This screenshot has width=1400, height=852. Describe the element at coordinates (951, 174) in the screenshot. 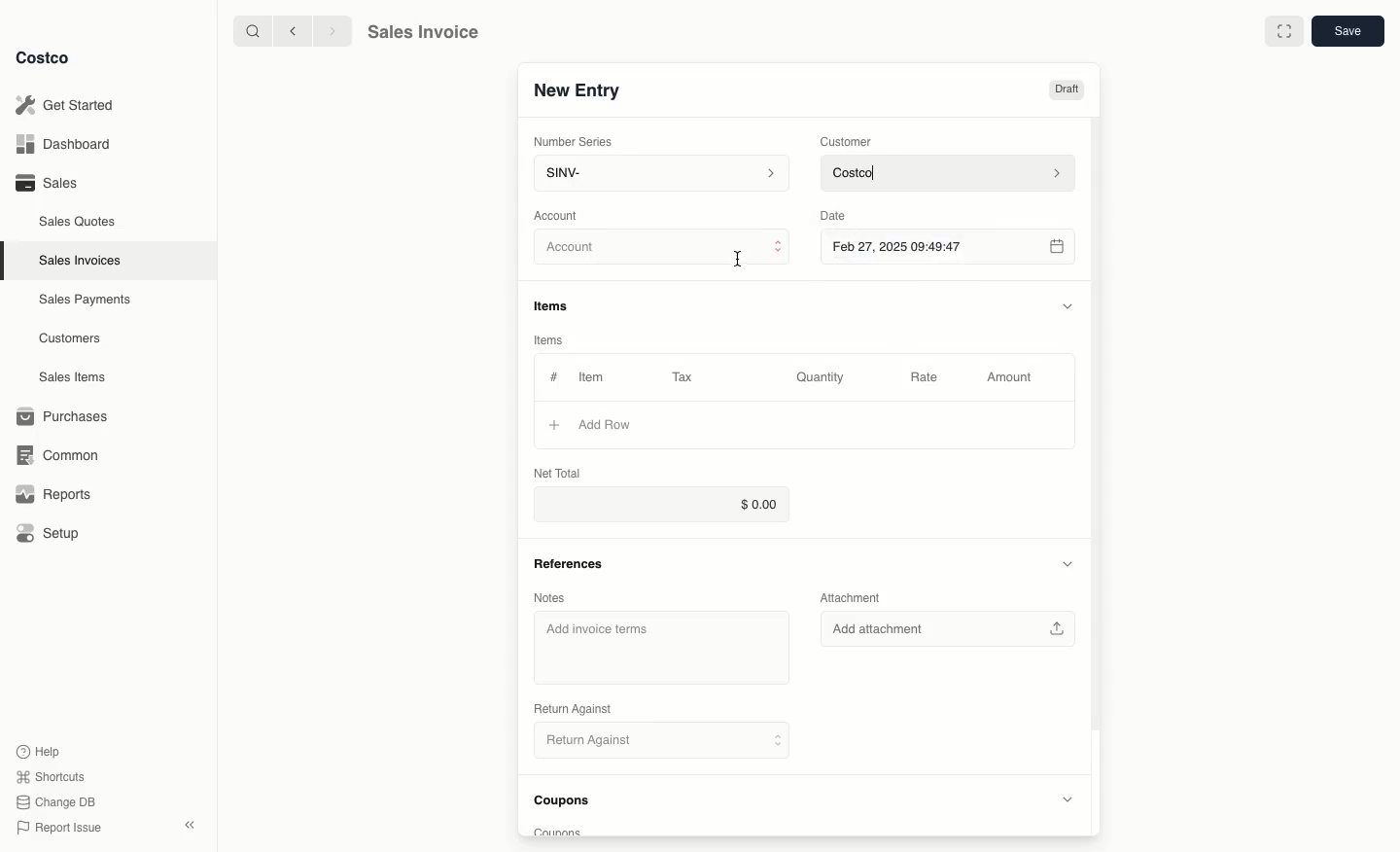

I see `Costco` at that location.